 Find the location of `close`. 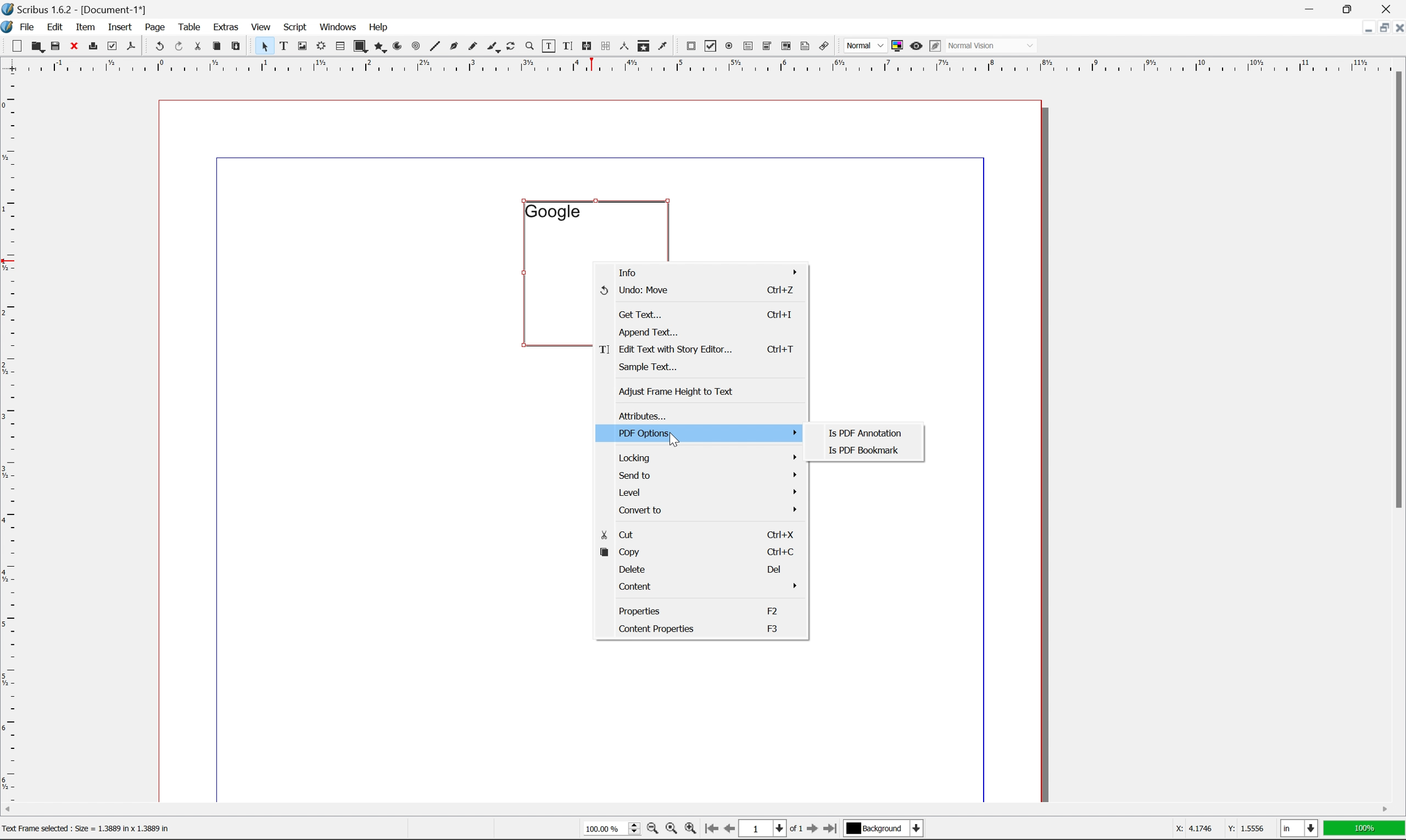

close is located at coordinates (75, 45).